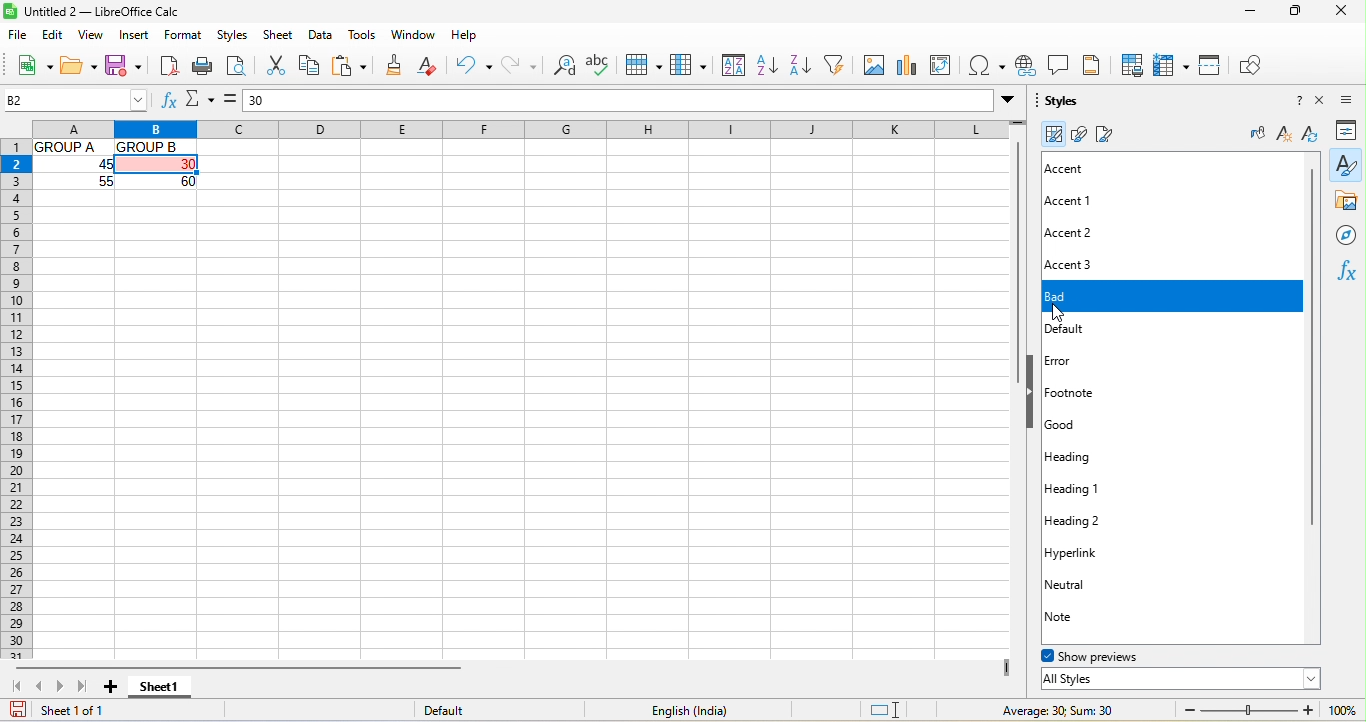 This screenshot has width=1366, height=722. Describe the element at coordinates (505, 128) in the screenshot. I see `column` at that location.